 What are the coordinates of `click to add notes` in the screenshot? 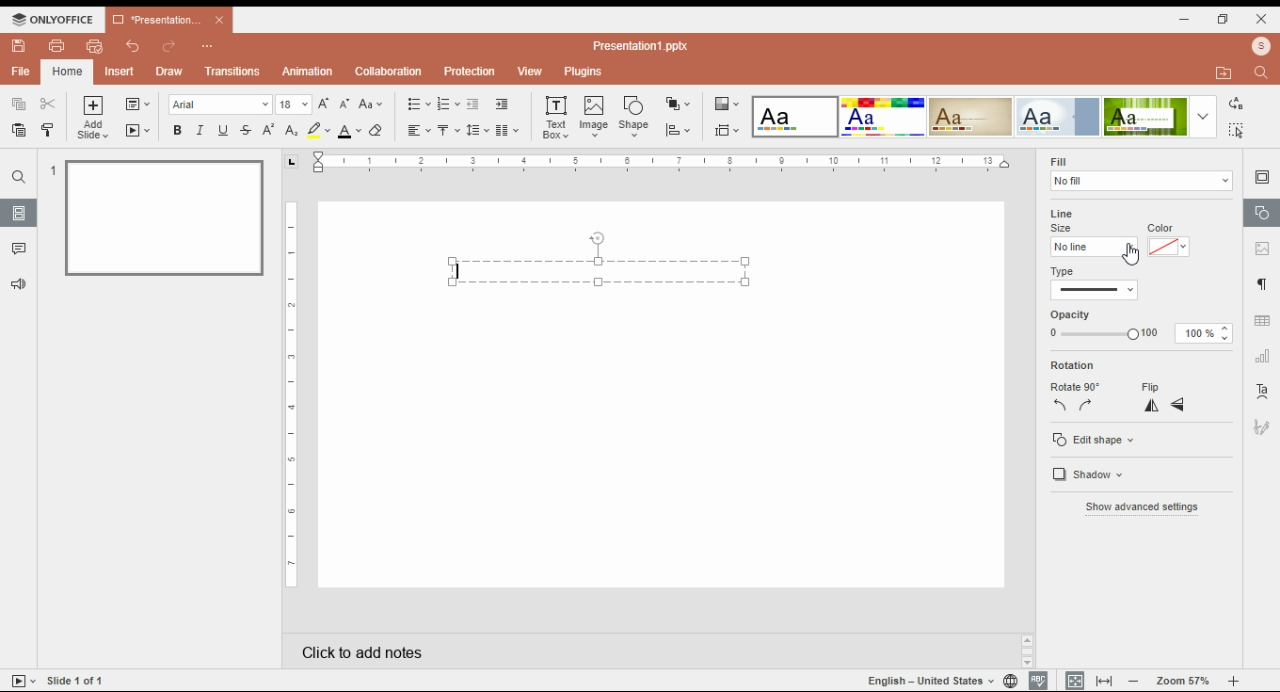 It's located at (512, 649).